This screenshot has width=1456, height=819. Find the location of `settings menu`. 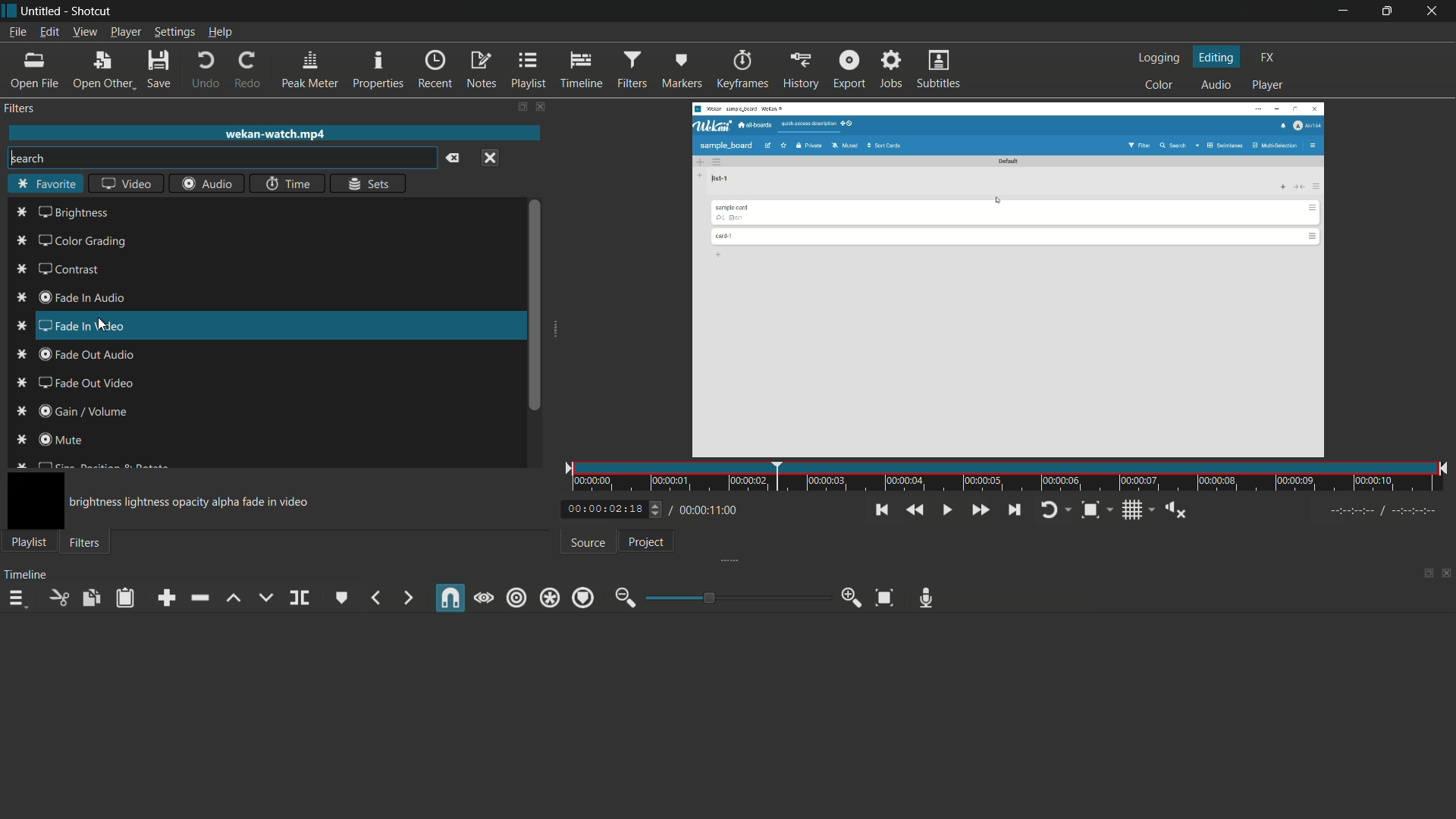

settings menu is located at coordinates (174, 32).